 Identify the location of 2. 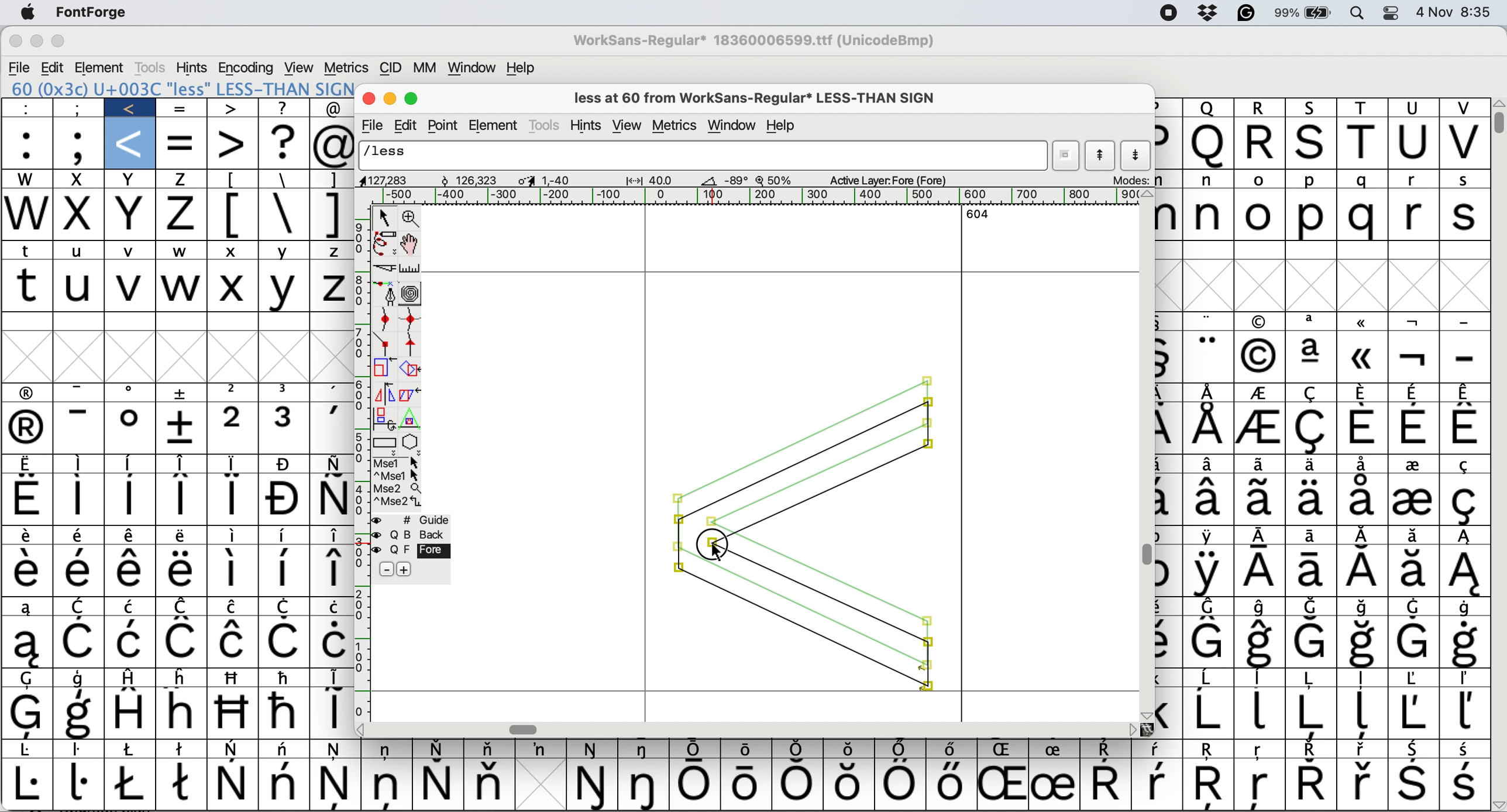
(234, 392).